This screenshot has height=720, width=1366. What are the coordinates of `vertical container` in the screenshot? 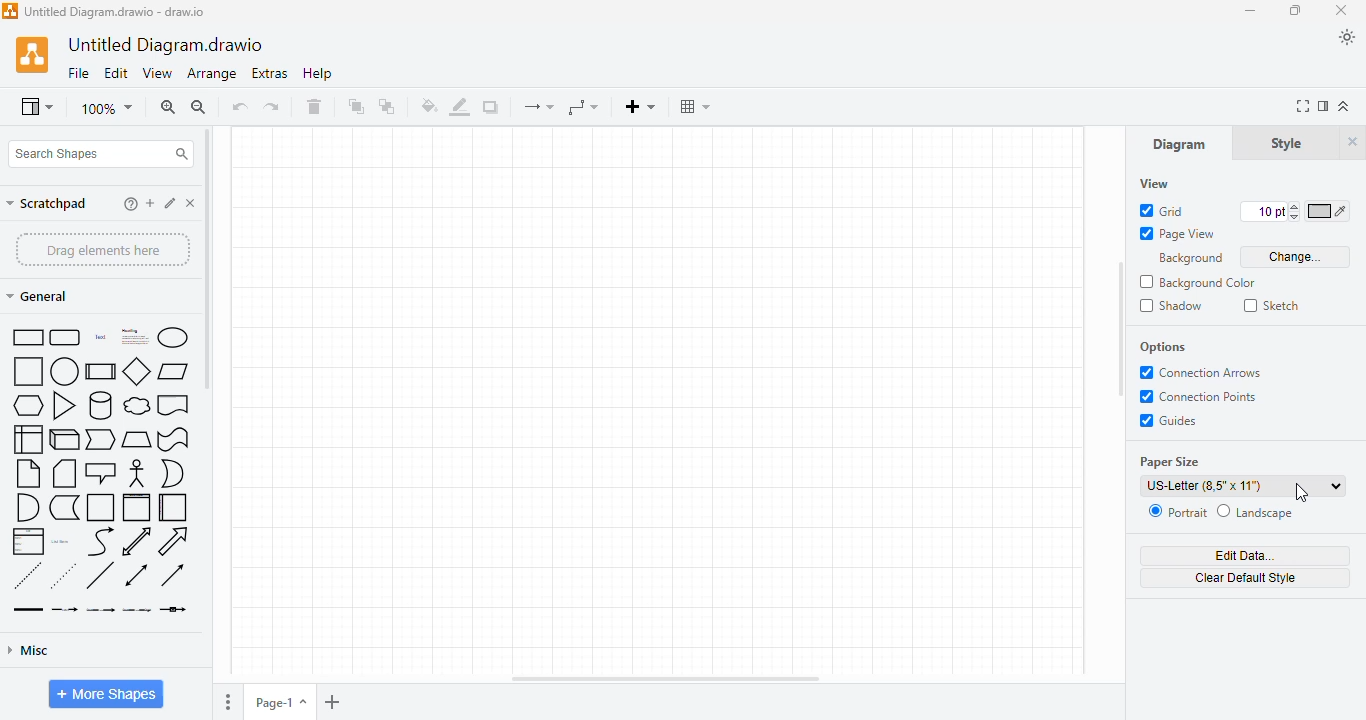 It's located at (137, 508).